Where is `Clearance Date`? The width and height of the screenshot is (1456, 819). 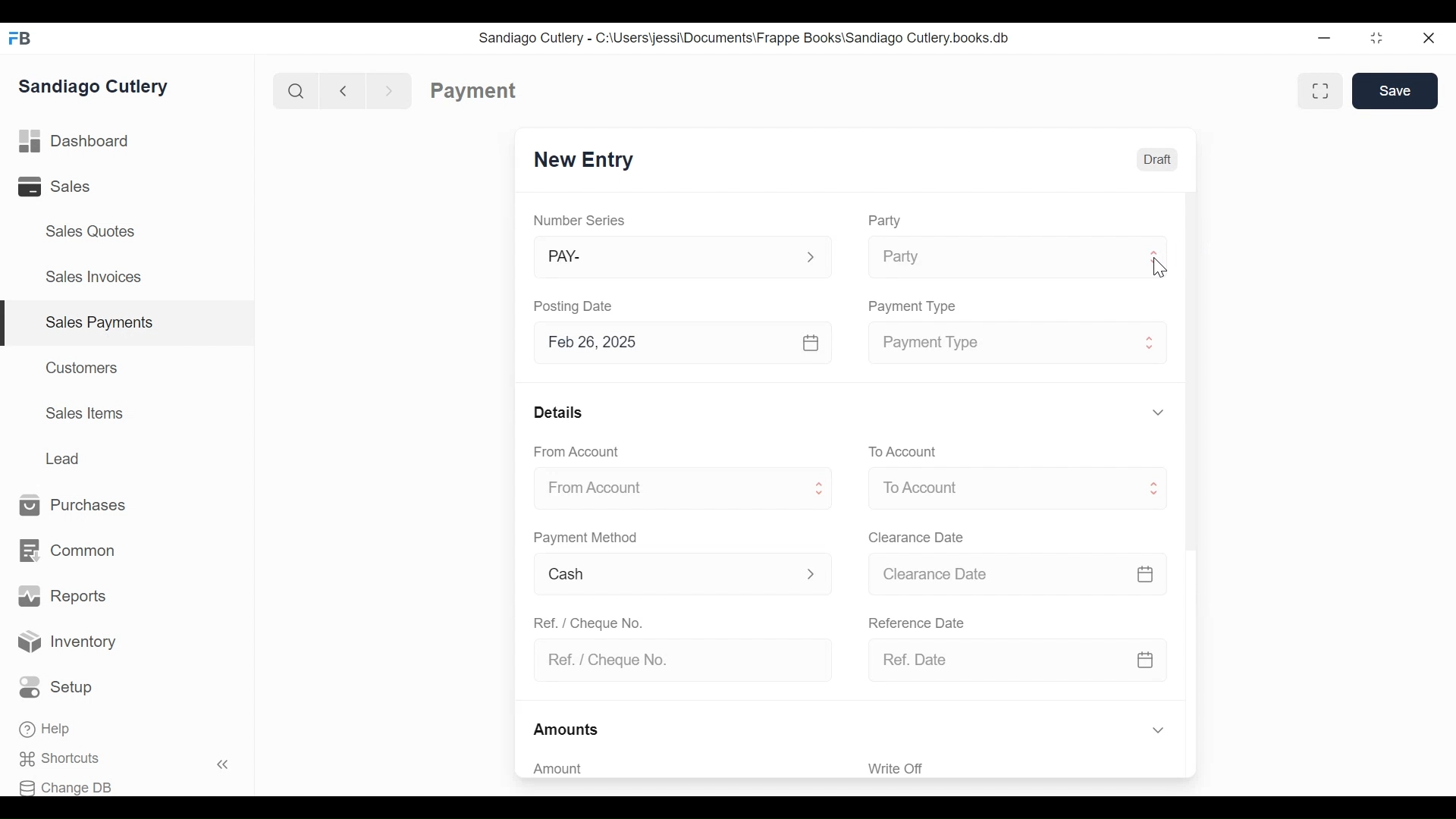 Clearance Date is located at coordinates (997, 575).